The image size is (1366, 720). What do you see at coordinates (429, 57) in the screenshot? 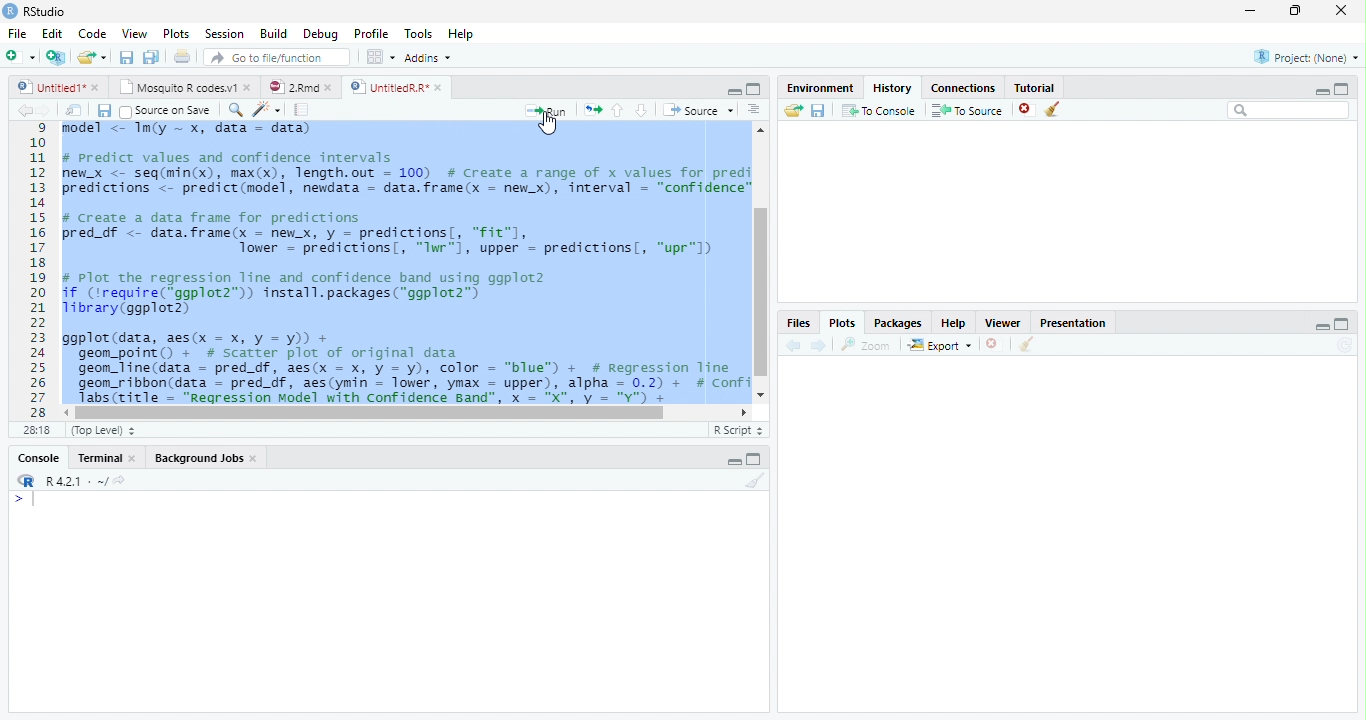
I see `Addins` at bounding box center [429, 57].